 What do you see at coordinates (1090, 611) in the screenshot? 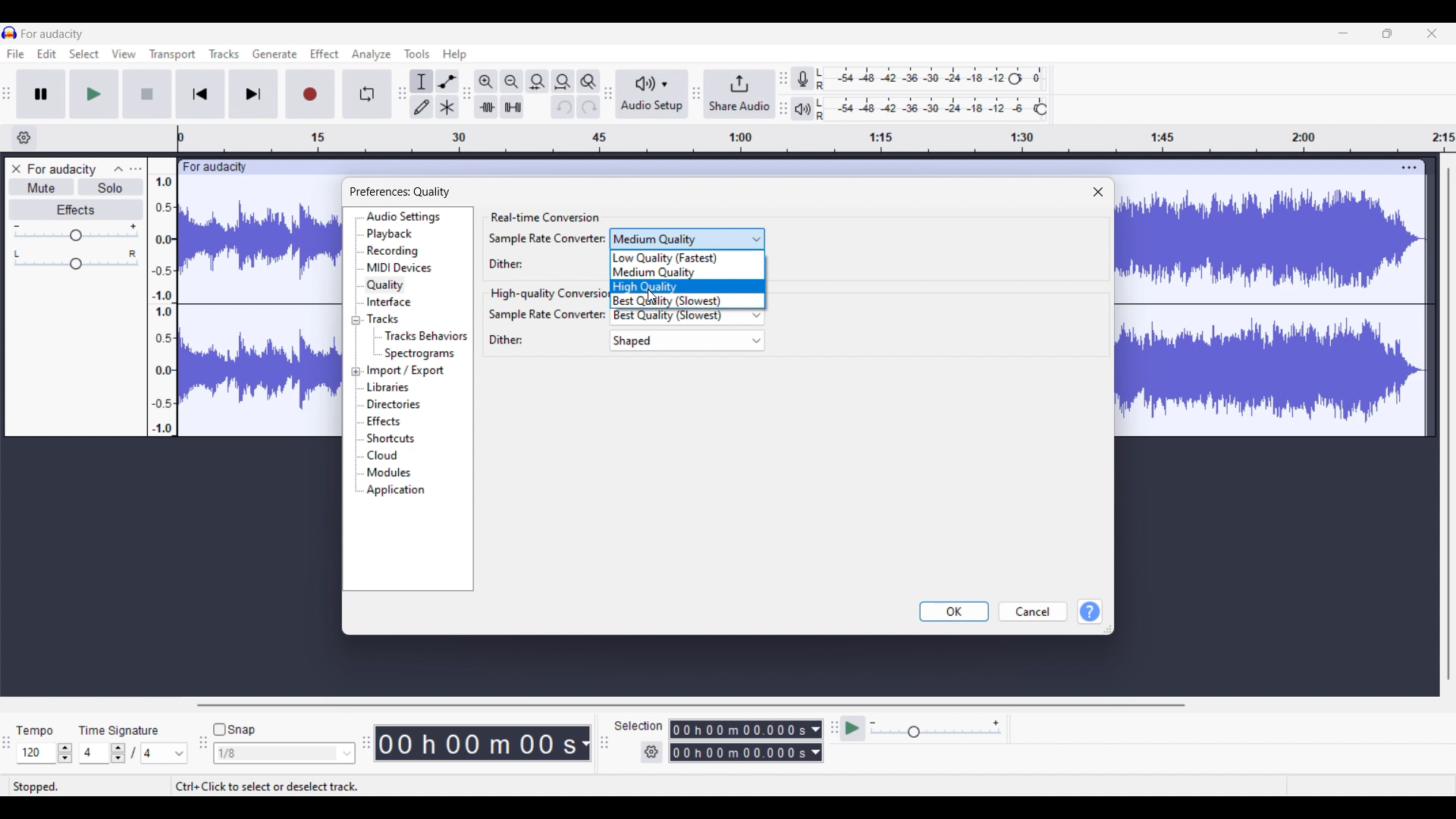
I see `Help` at bounding box center [1090, 611].